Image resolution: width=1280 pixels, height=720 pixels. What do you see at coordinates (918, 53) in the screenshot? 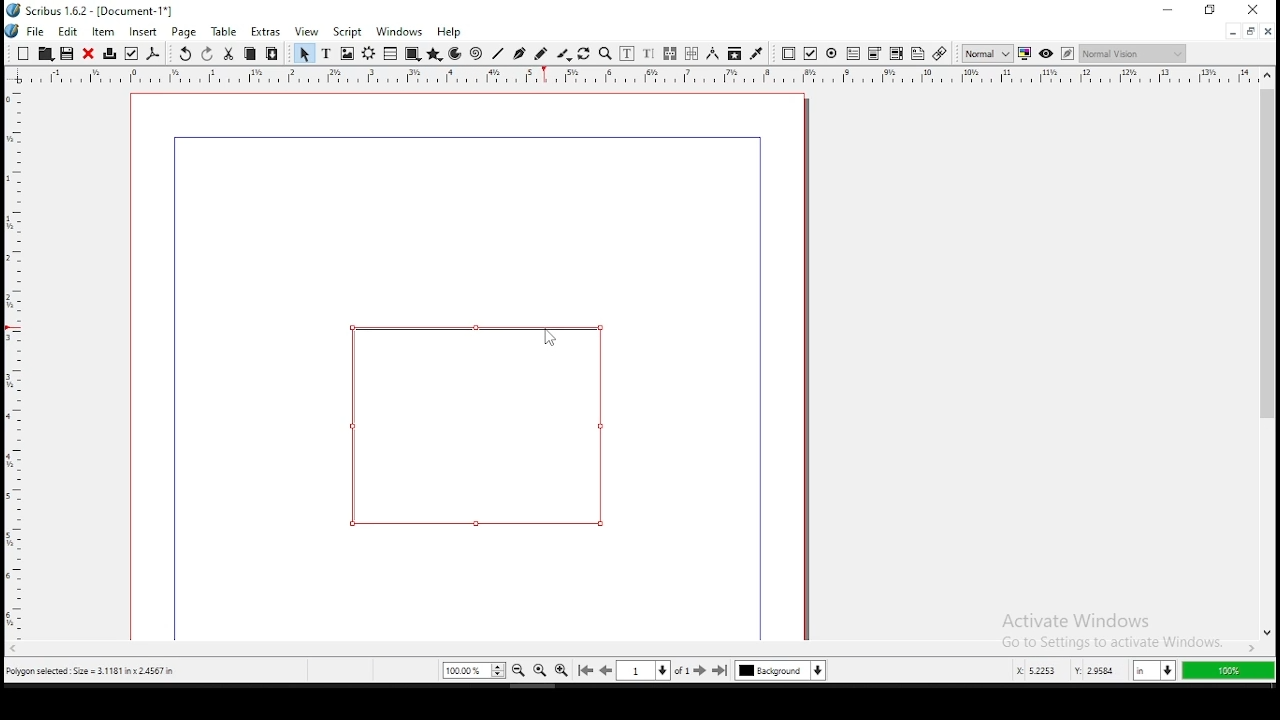
I see `text annotation` at bounding box center [918, 53].